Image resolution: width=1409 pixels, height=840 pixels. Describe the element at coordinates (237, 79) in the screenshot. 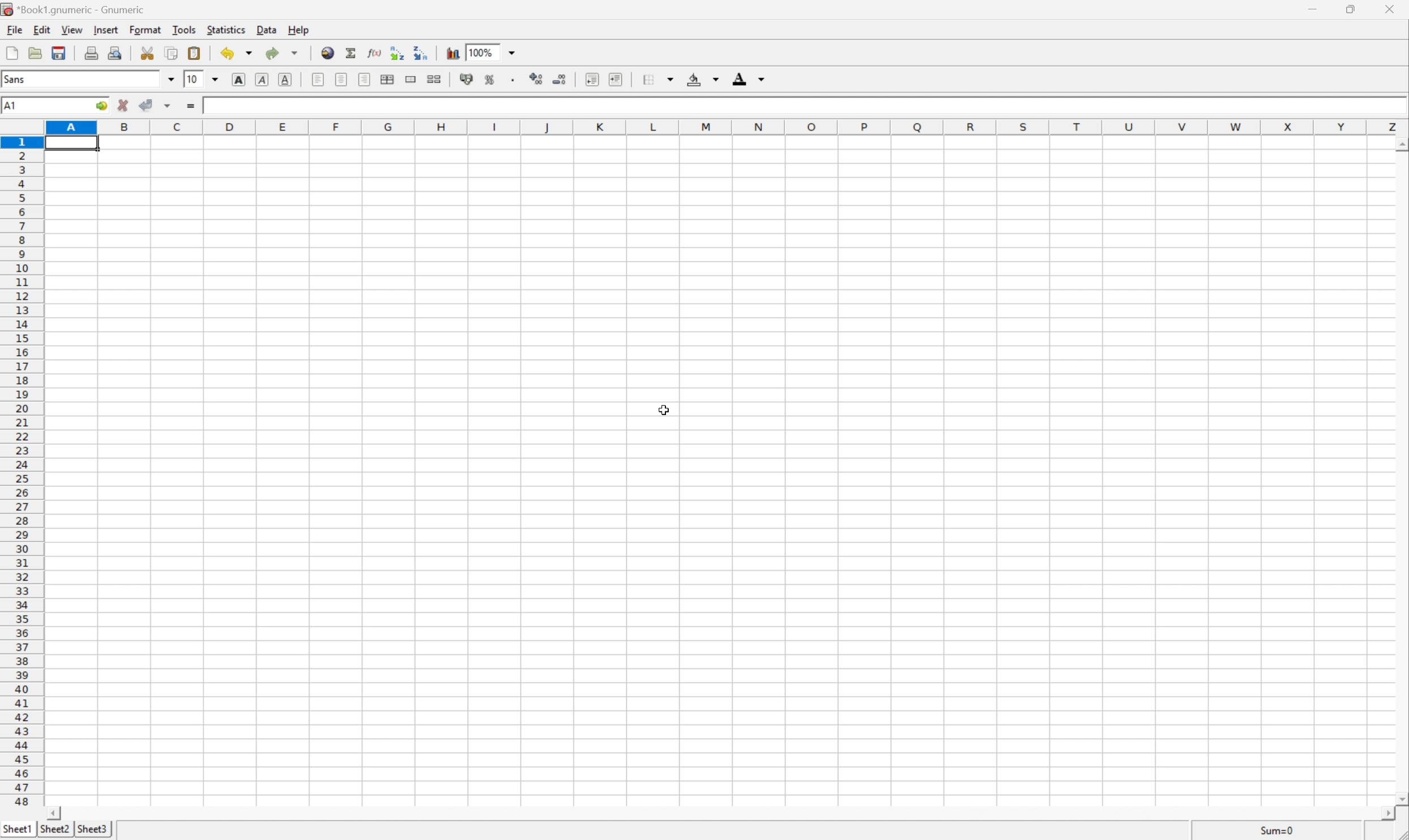

I see `Bold` at that location.